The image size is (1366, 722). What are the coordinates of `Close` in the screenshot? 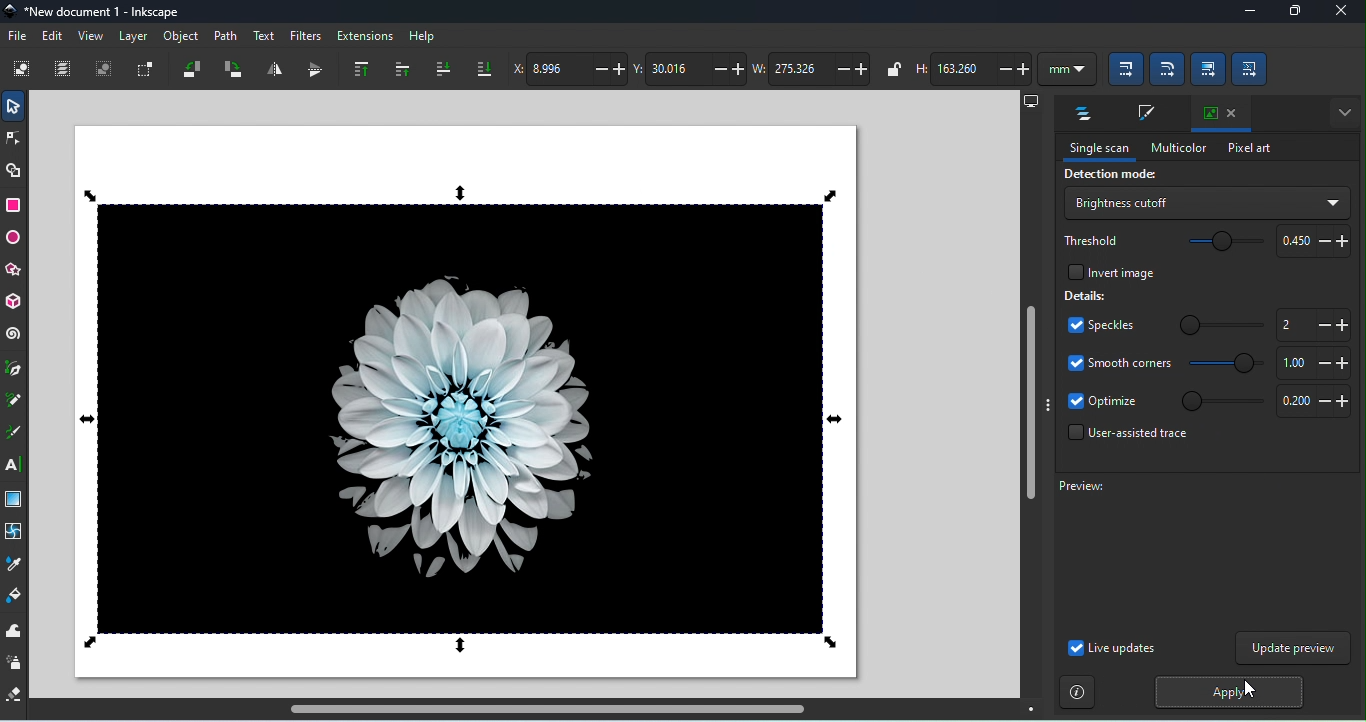 It's located at (1342, 12).